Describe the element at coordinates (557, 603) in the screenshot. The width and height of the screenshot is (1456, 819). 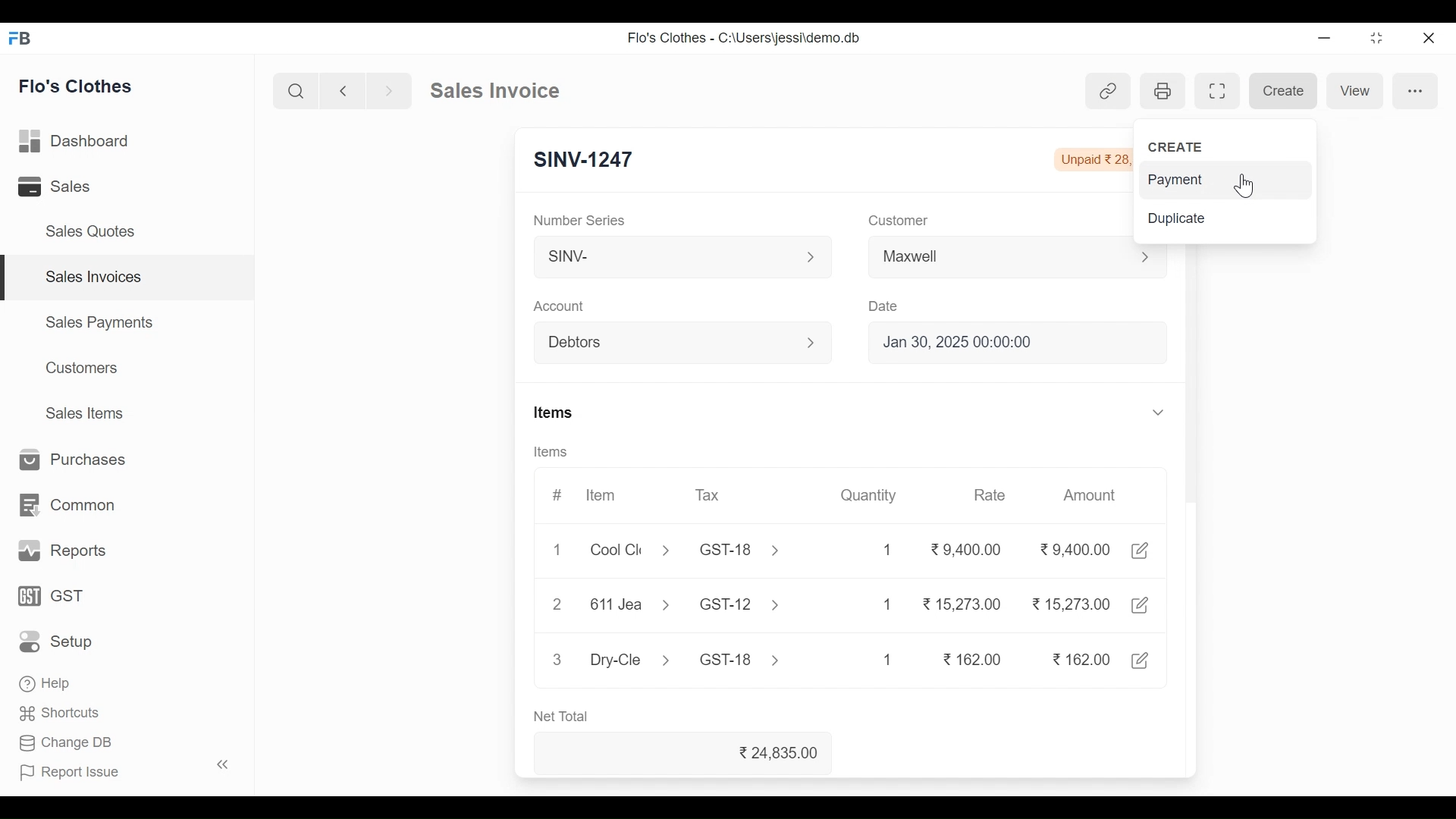
I see `2` at that location.